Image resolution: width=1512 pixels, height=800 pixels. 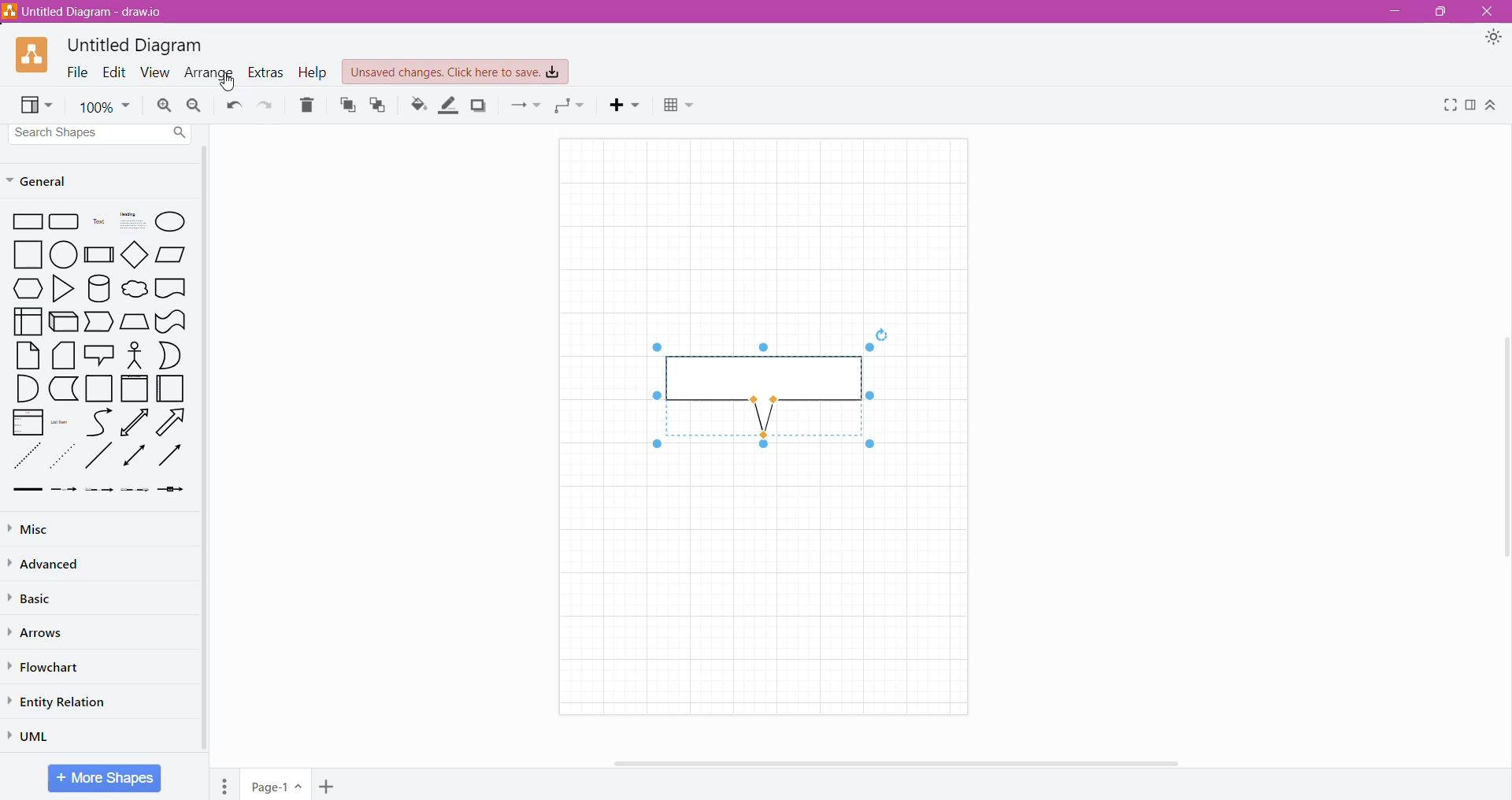 I want to click on Restore Down, so click(x=1439, y=12).